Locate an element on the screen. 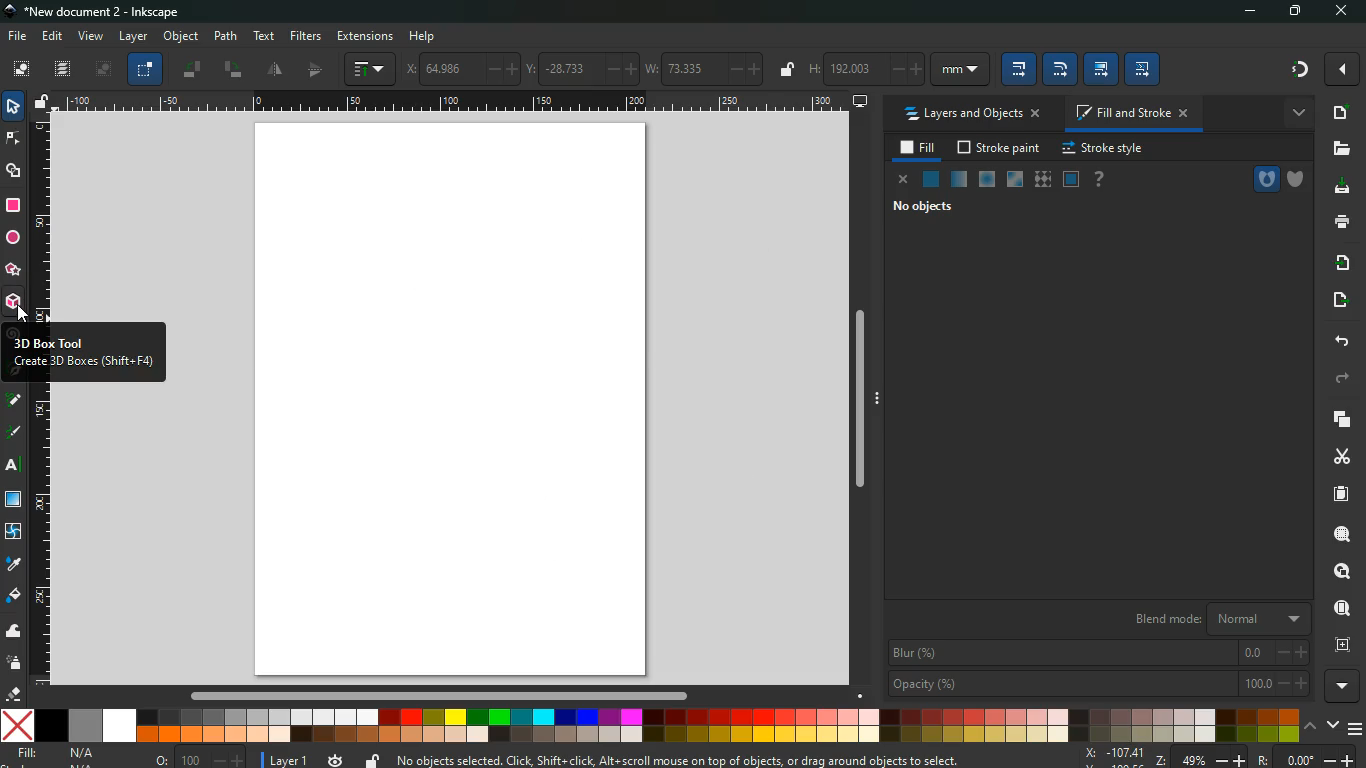 The width and height of the screenshot is (1366, 768). twist is located at coordinates (13, 533).